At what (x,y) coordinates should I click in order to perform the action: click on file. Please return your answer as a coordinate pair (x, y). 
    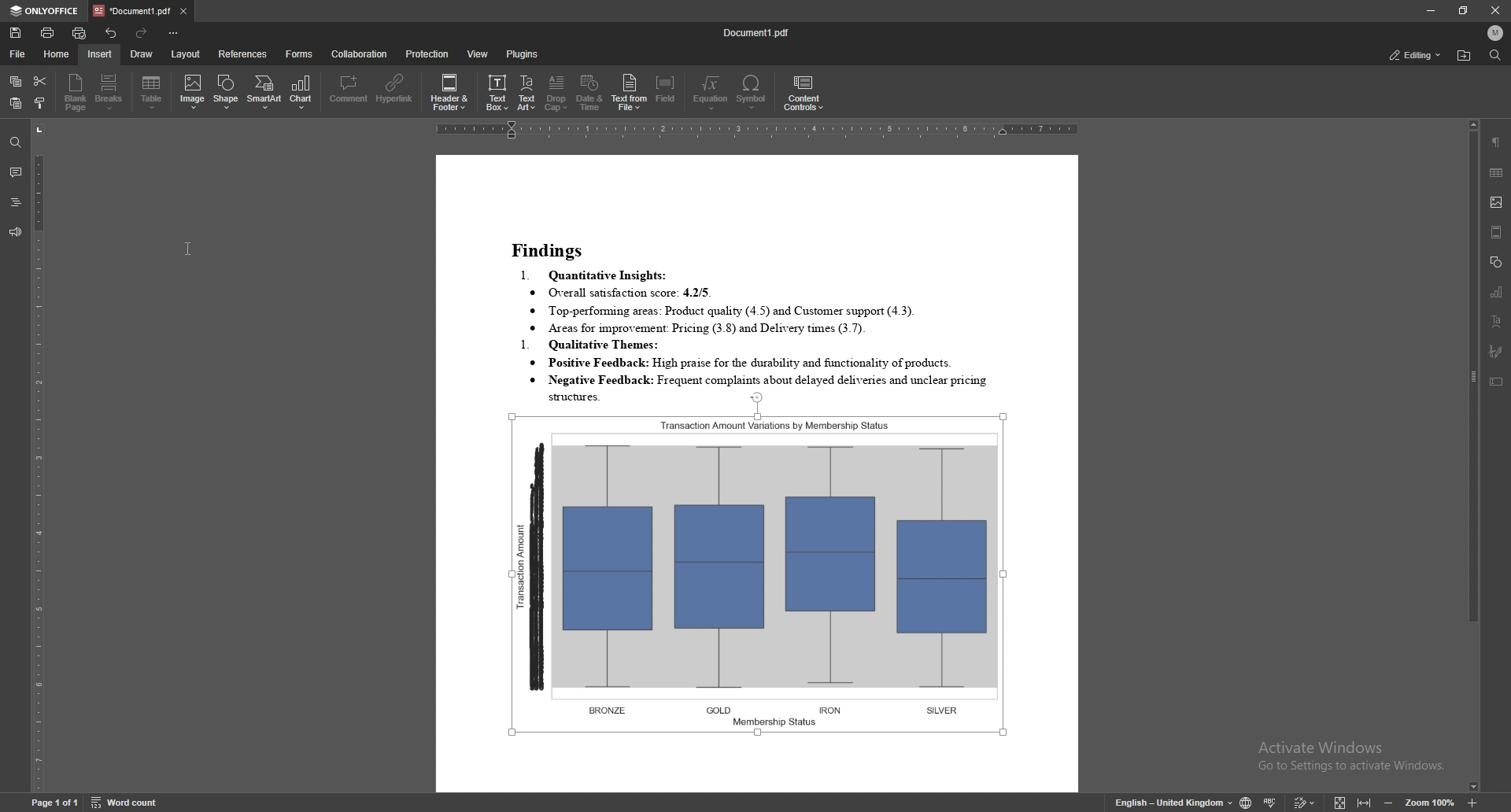
    Looking at the image, I should click on (18, 54).